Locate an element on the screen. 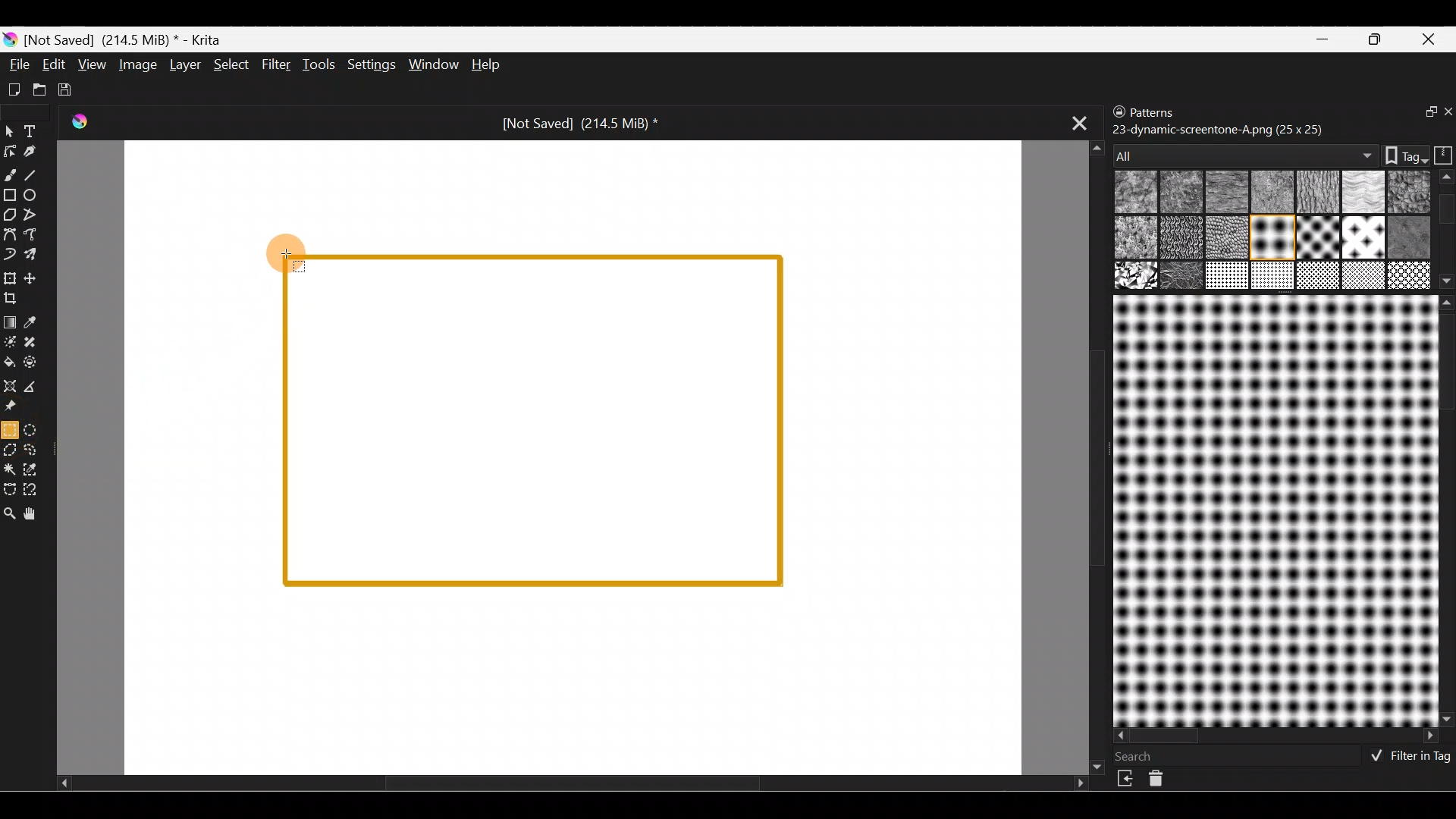 The width and height of the screenshot is (1456, 819). Smart patch tool is located at coordinates (39, 344).